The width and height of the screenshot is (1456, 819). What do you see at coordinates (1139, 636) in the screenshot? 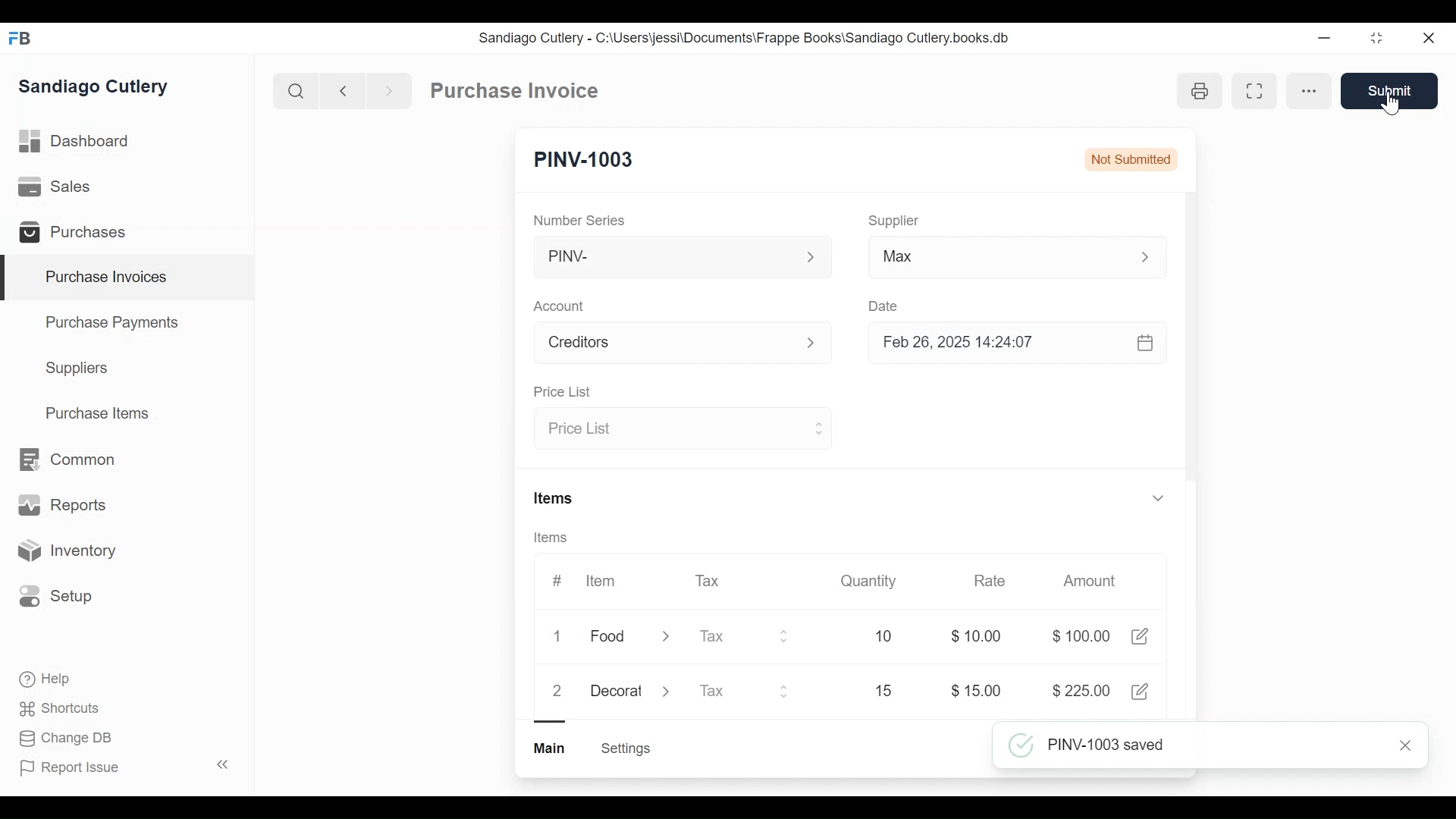
I see `Edit` at bounding box center [1139, 636].